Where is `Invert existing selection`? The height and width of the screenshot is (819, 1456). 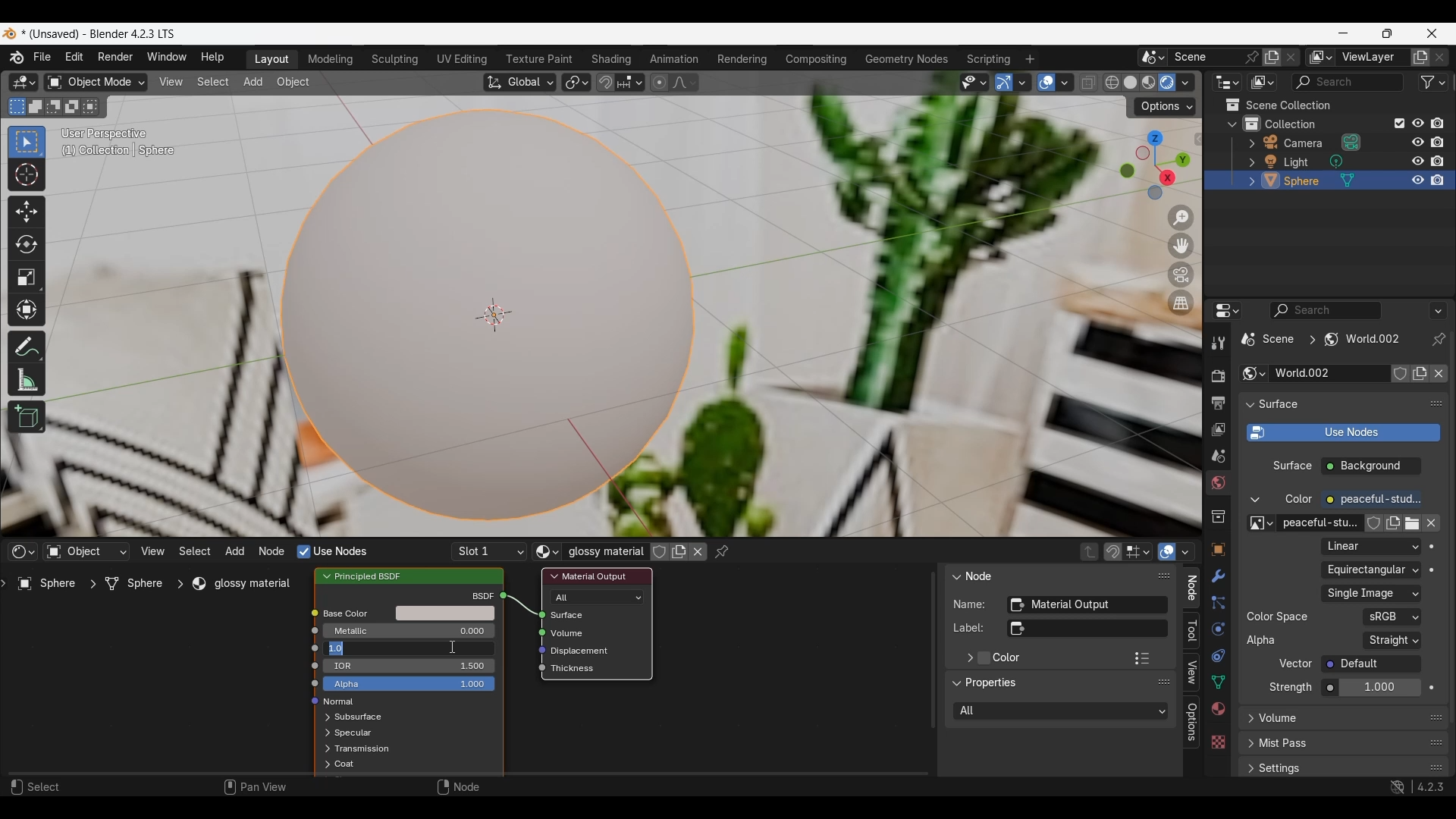
Invert existing selection is located at coordinates (71, 107).